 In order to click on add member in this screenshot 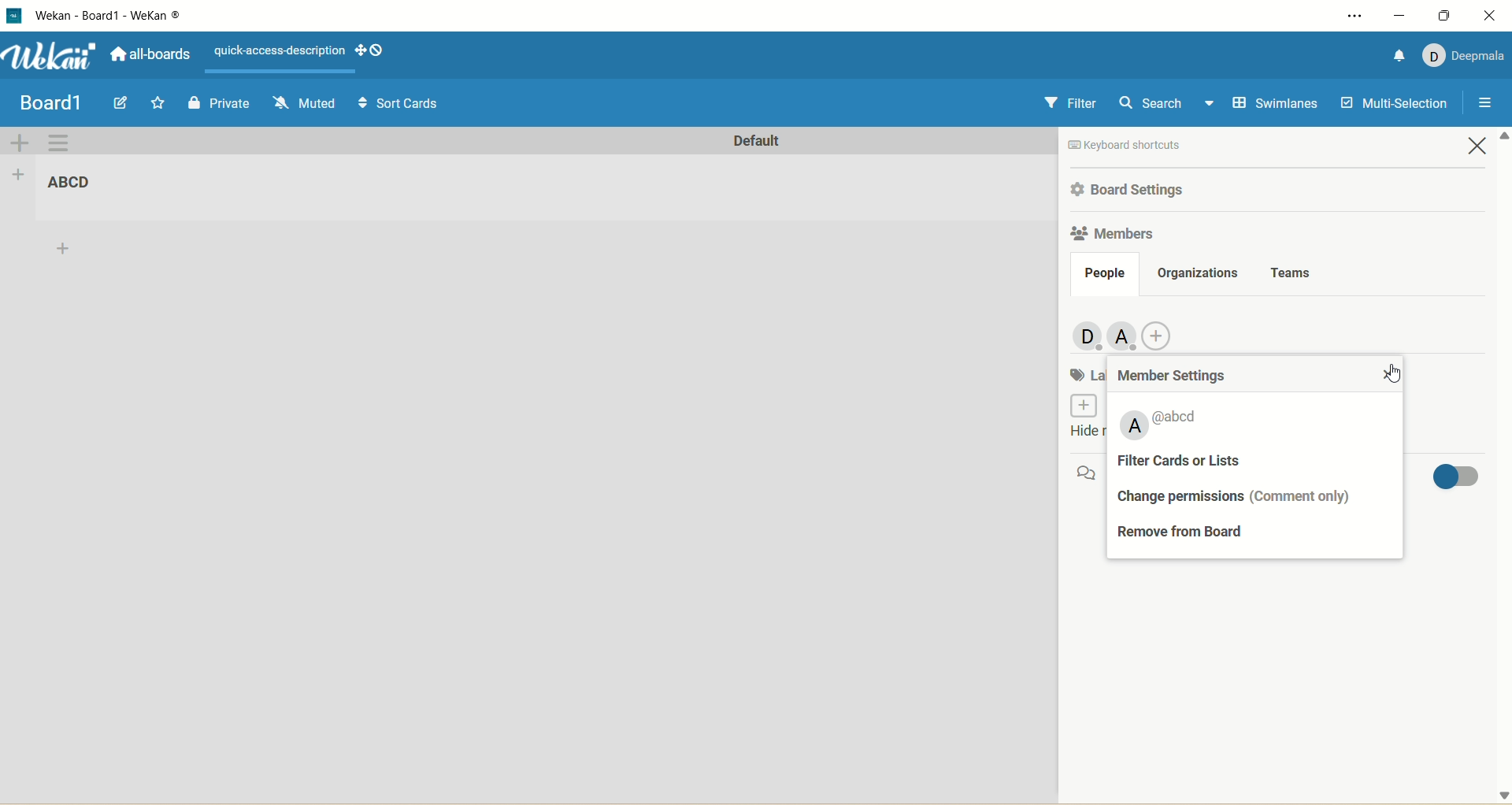, I will do `click(1164, 333)`.